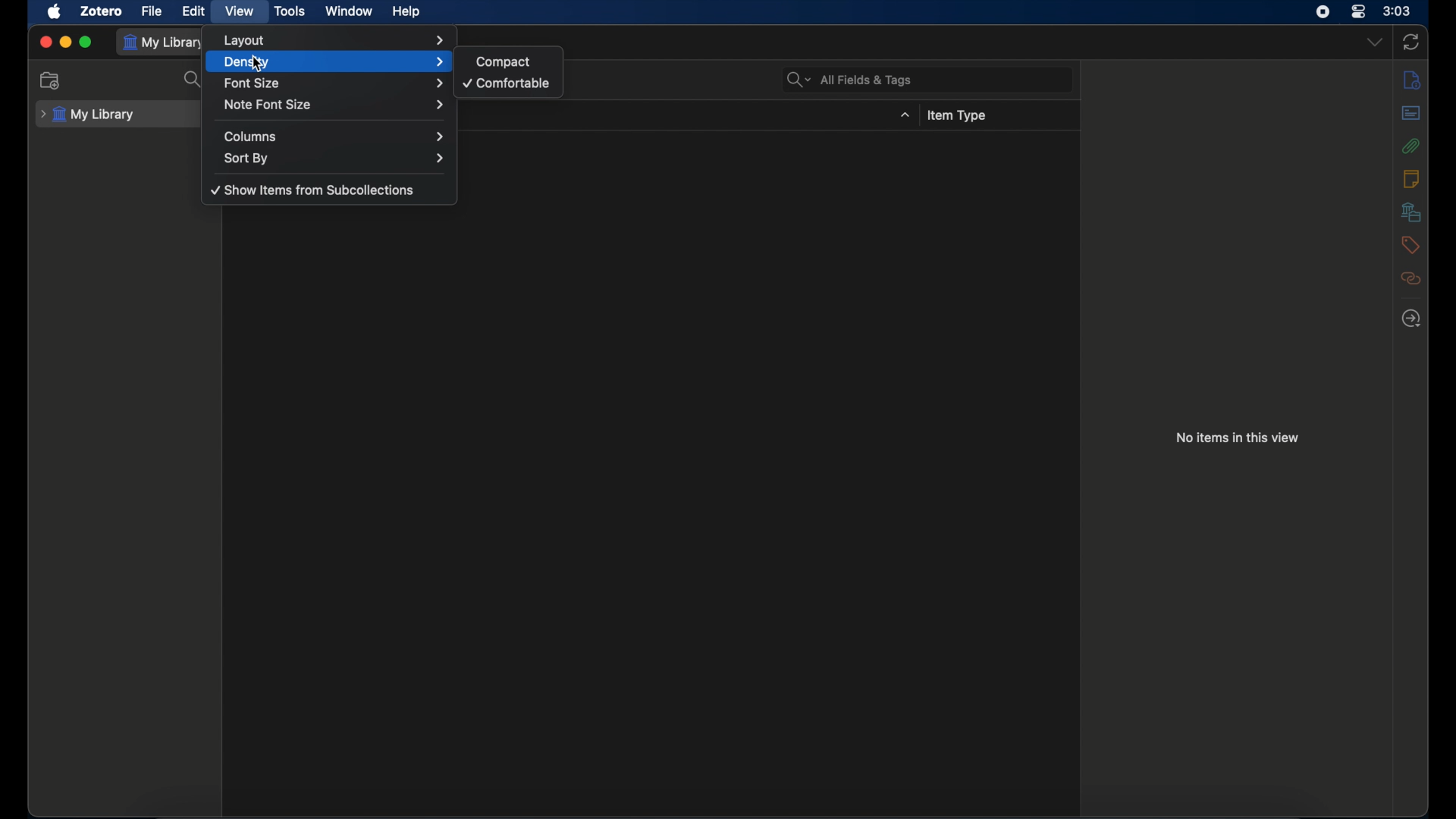 The image size is (1456, 819). What do you see at coordinates (406, 12) in the screenshot?
I see `help` at bounding box center [406, 12].